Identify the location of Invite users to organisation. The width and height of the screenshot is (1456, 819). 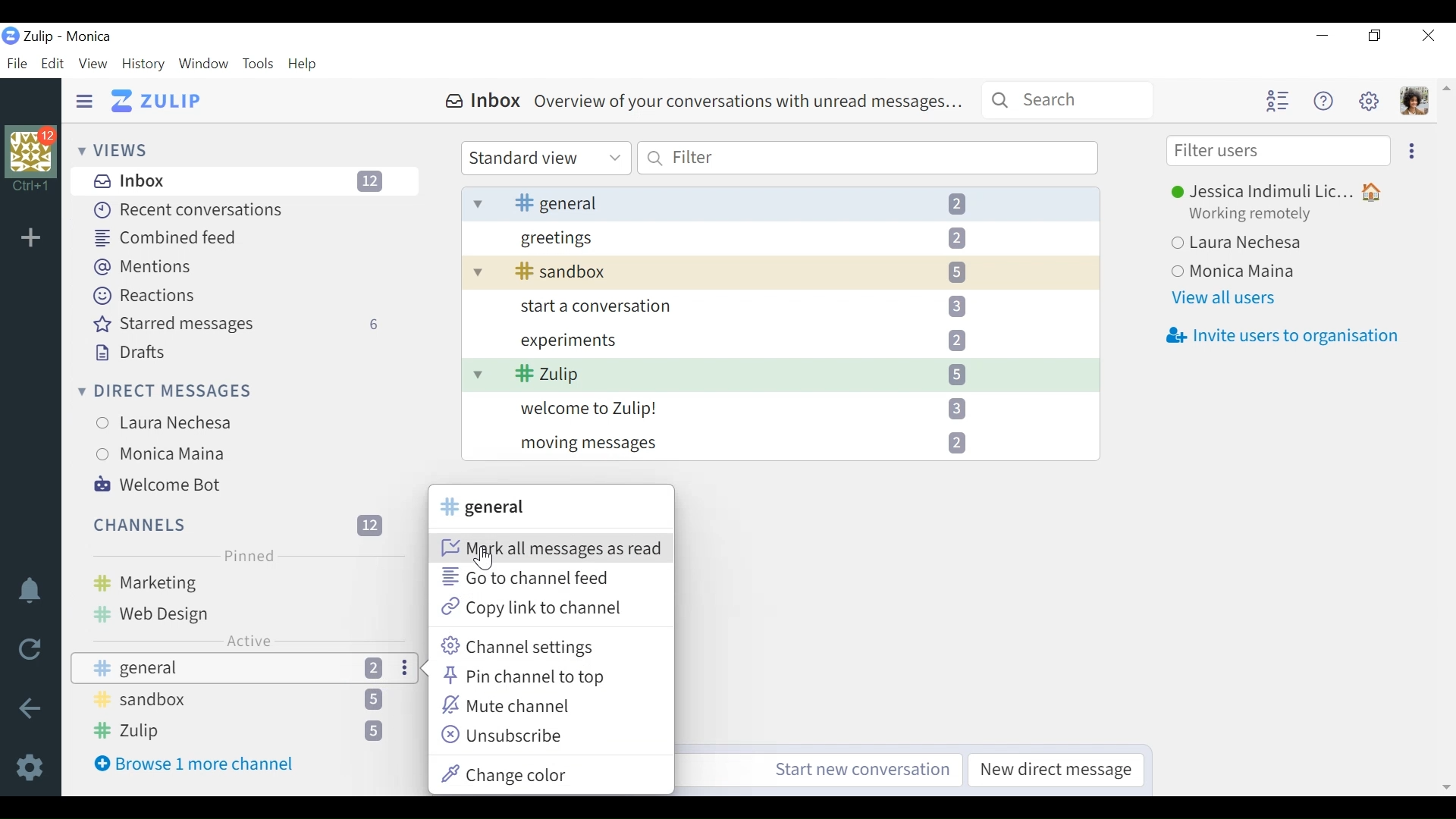
(1282, 337).